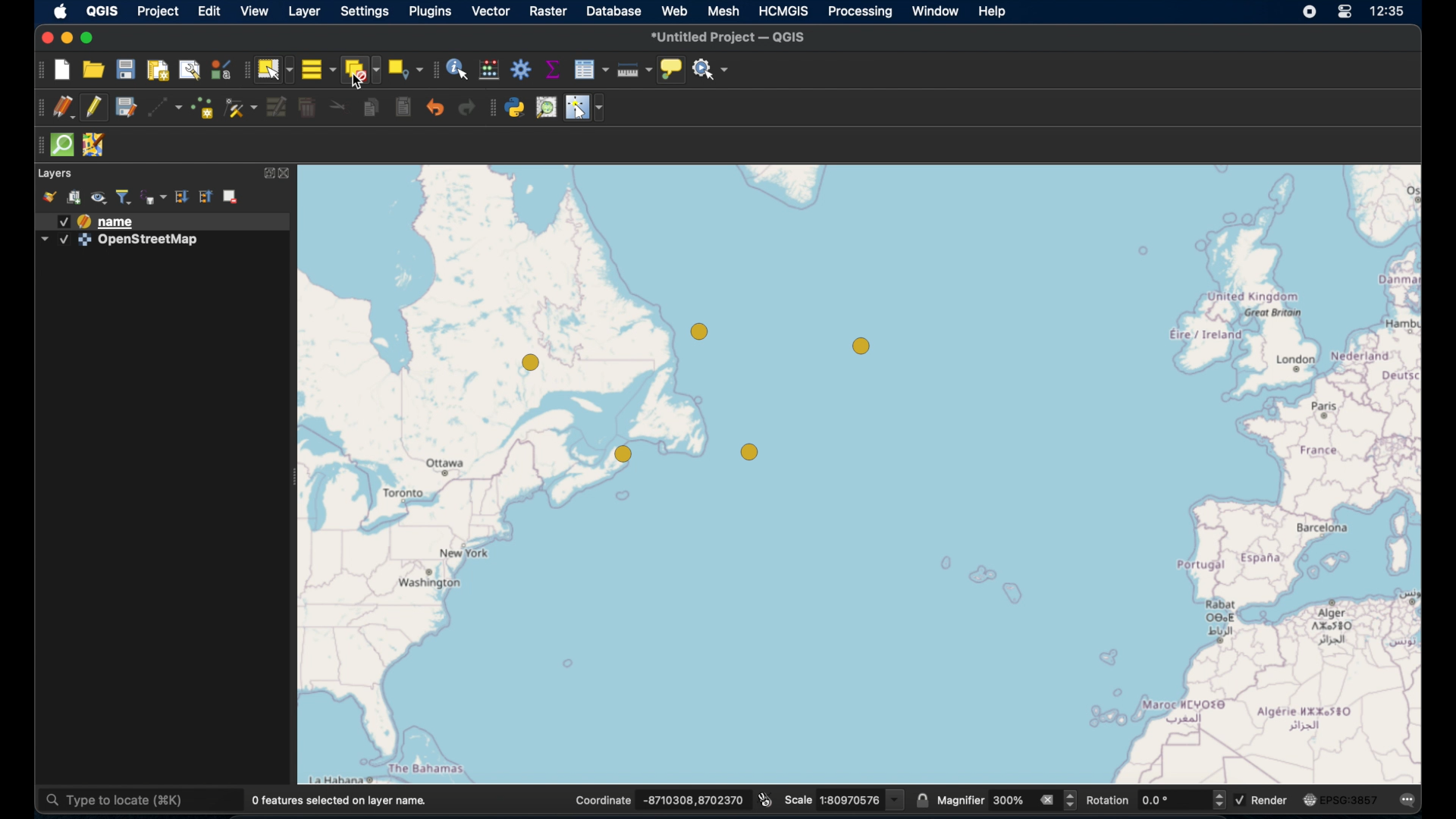  What do you see at coordinates (1389, 11) in the screenshot?
I see `12:35` at bounding box center [1389, 11].